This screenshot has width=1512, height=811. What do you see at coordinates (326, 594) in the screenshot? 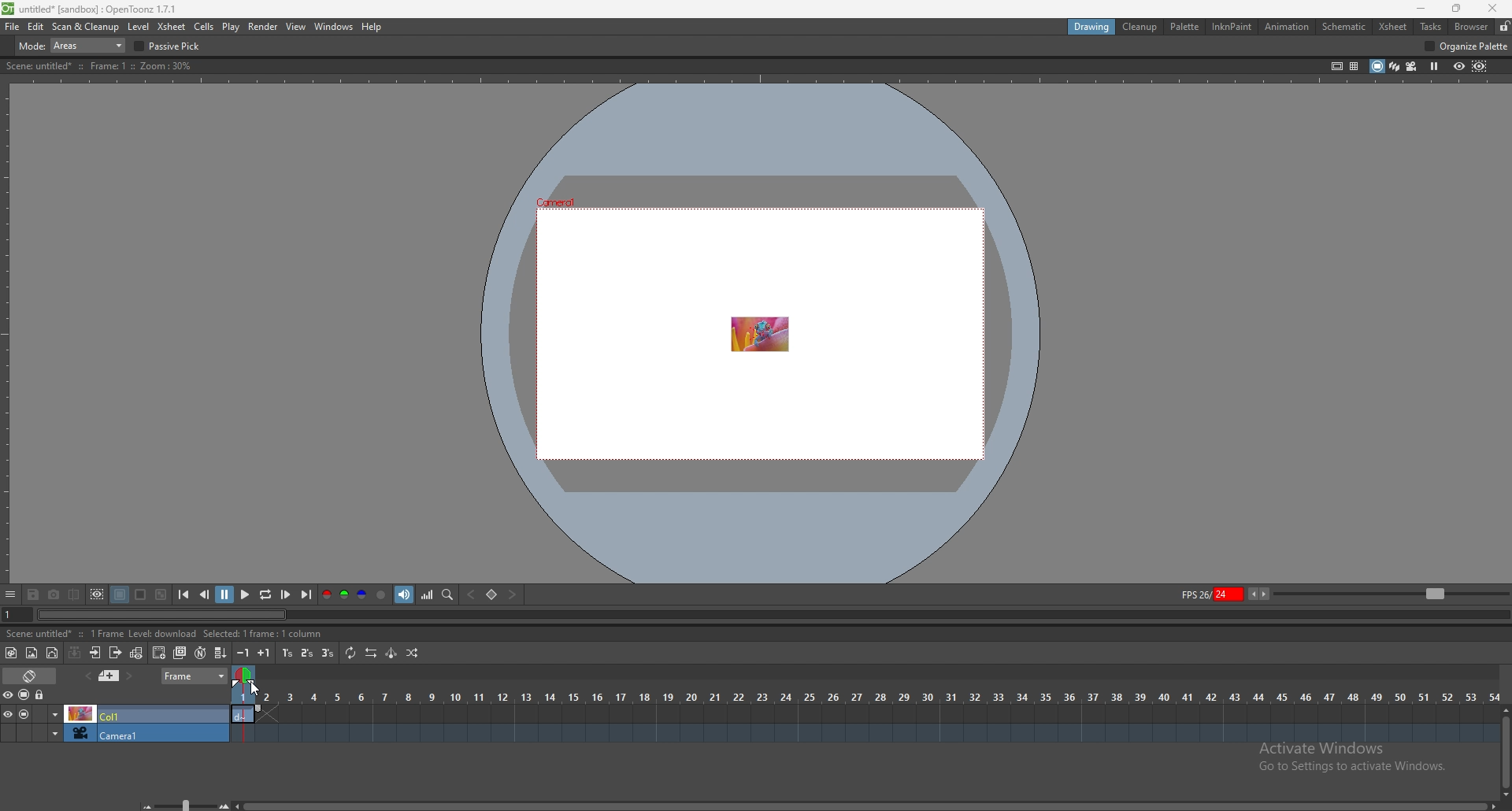
I see `red channel` at bounding box center [326, 594].